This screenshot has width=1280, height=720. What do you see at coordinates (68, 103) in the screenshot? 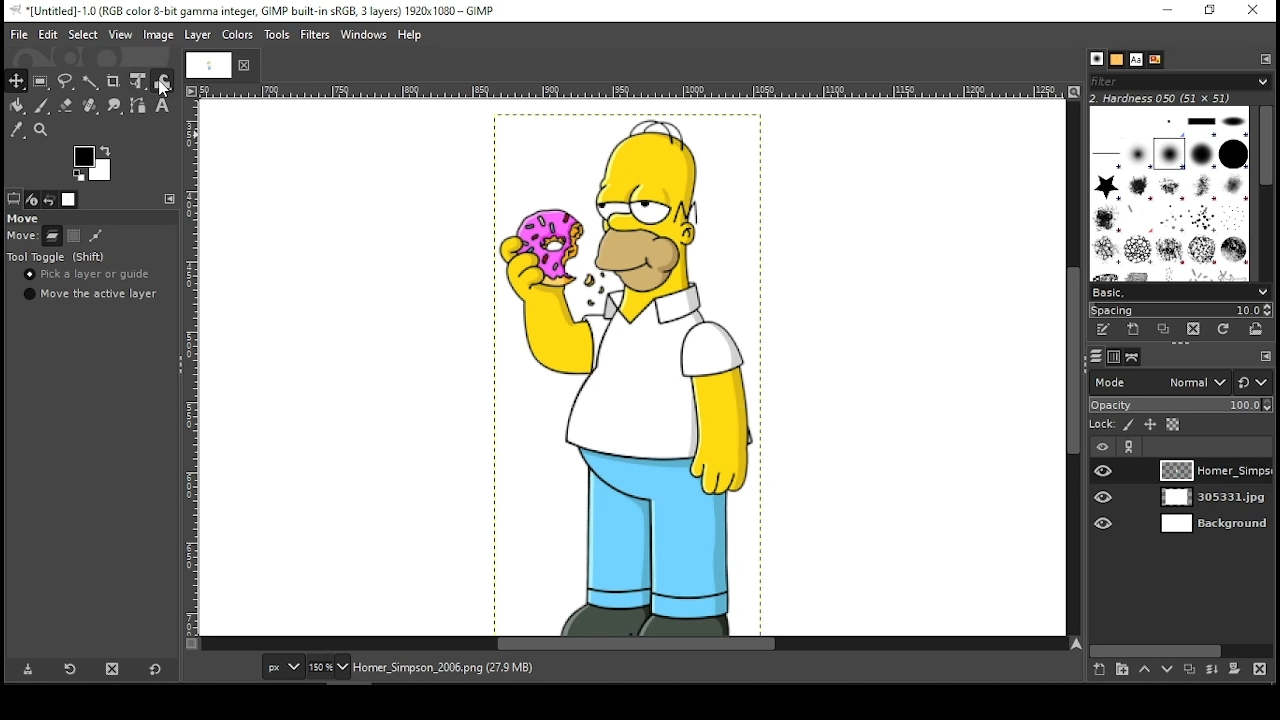
I see `erase tool` at bounding box center [68, 103].